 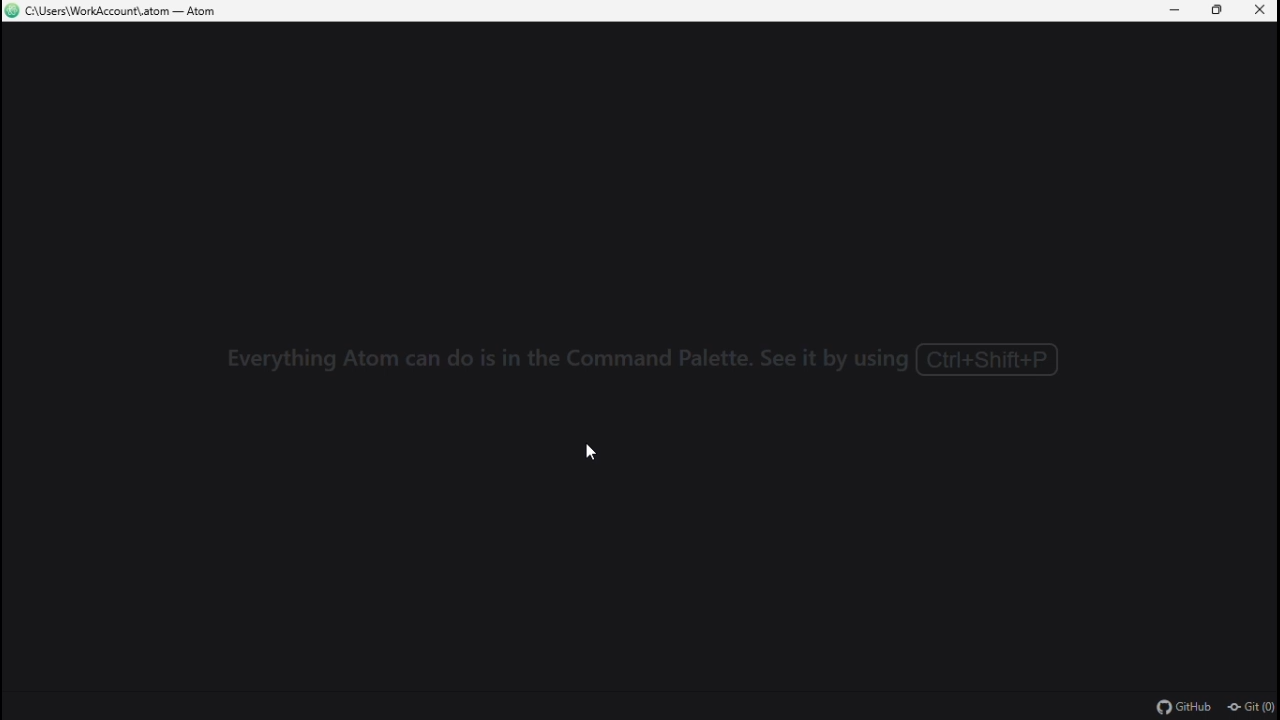 I want to click on Restore, so click(x=1219, y=12).